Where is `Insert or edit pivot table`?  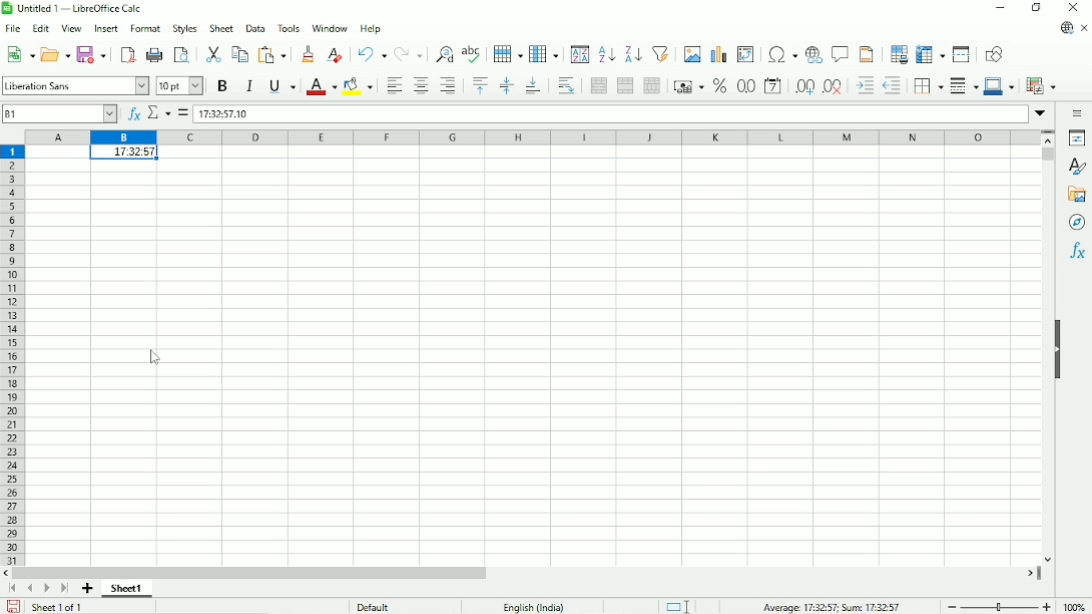
Insert or edit pivot table is located at coordinates (747, 52).